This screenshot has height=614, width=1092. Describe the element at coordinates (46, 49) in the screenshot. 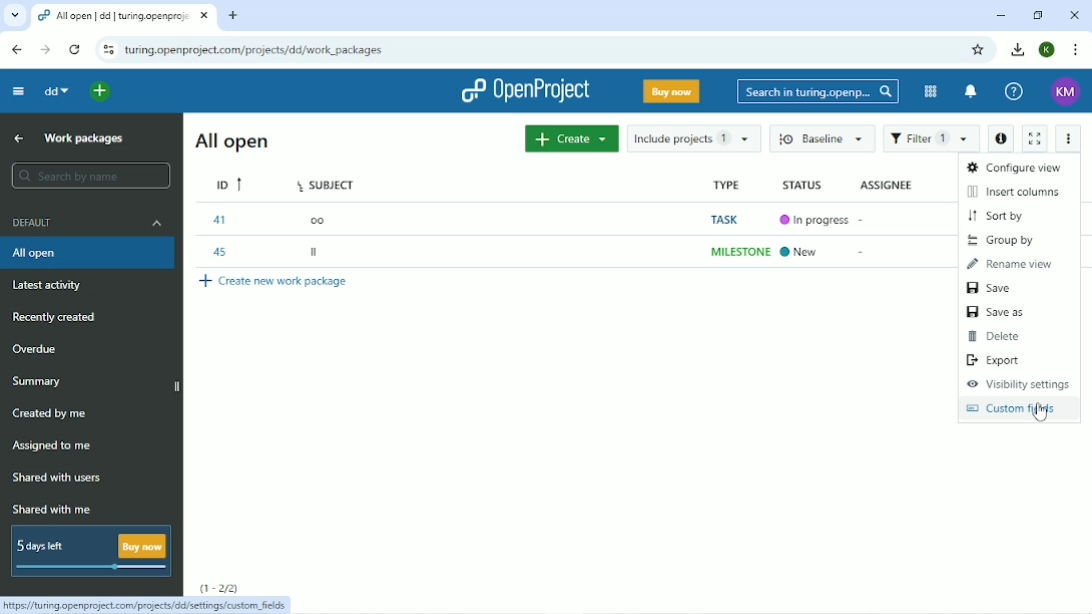

I see `Forward` at that location.